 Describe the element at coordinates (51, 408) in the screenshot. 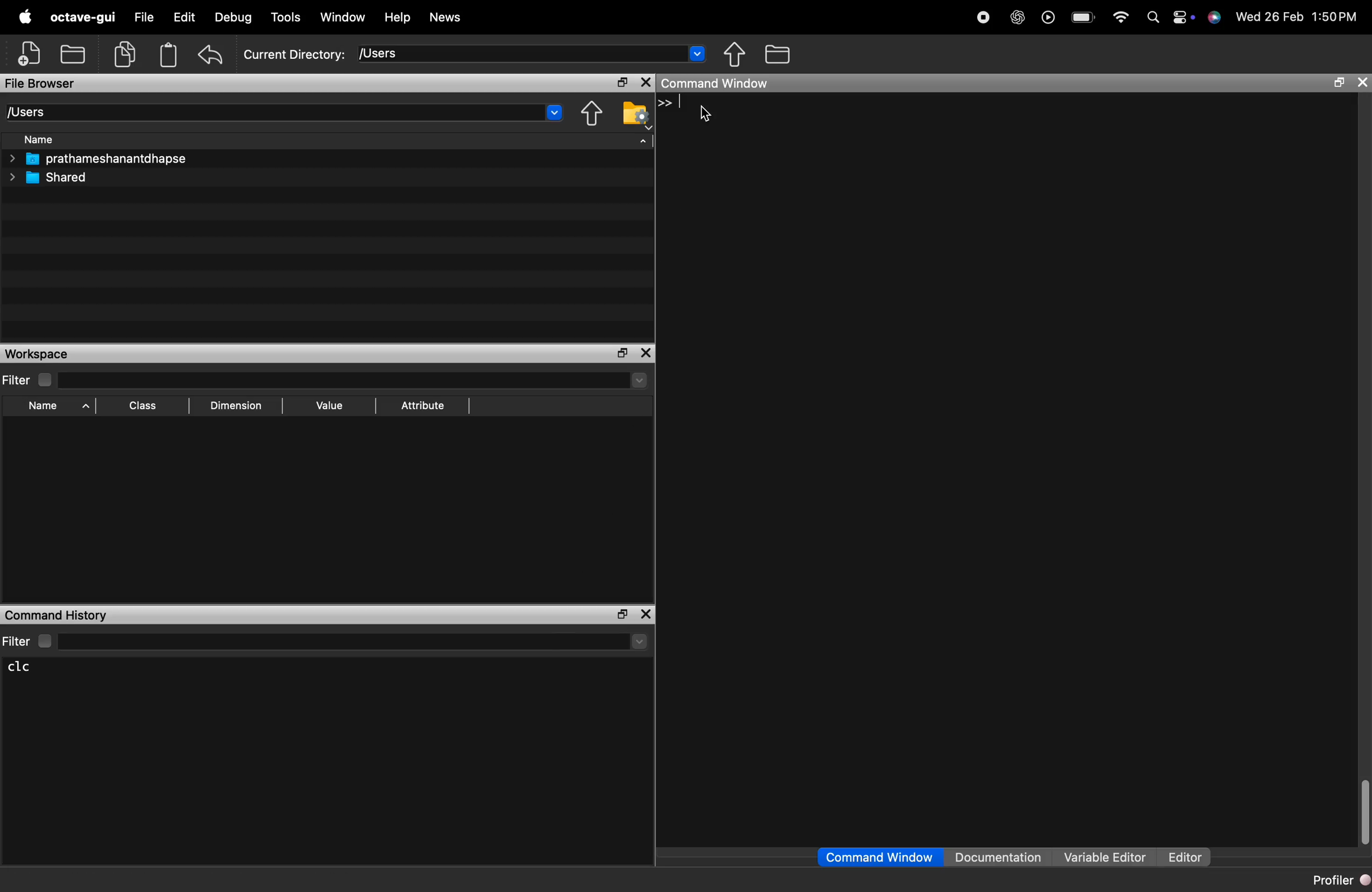

I see `Name ` at that location.